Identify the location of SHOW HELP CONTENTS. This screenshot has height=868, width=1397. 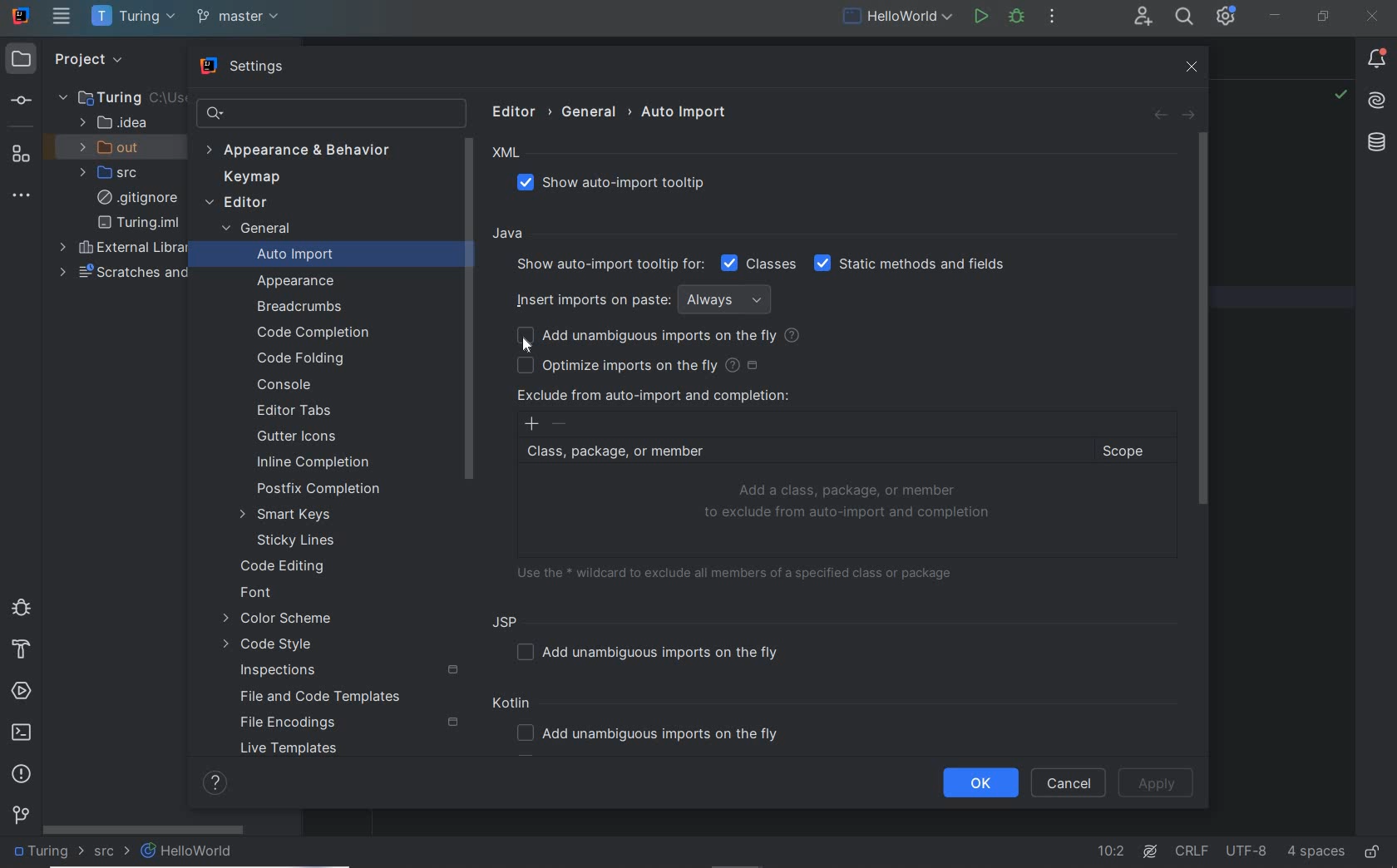
(215, 783).